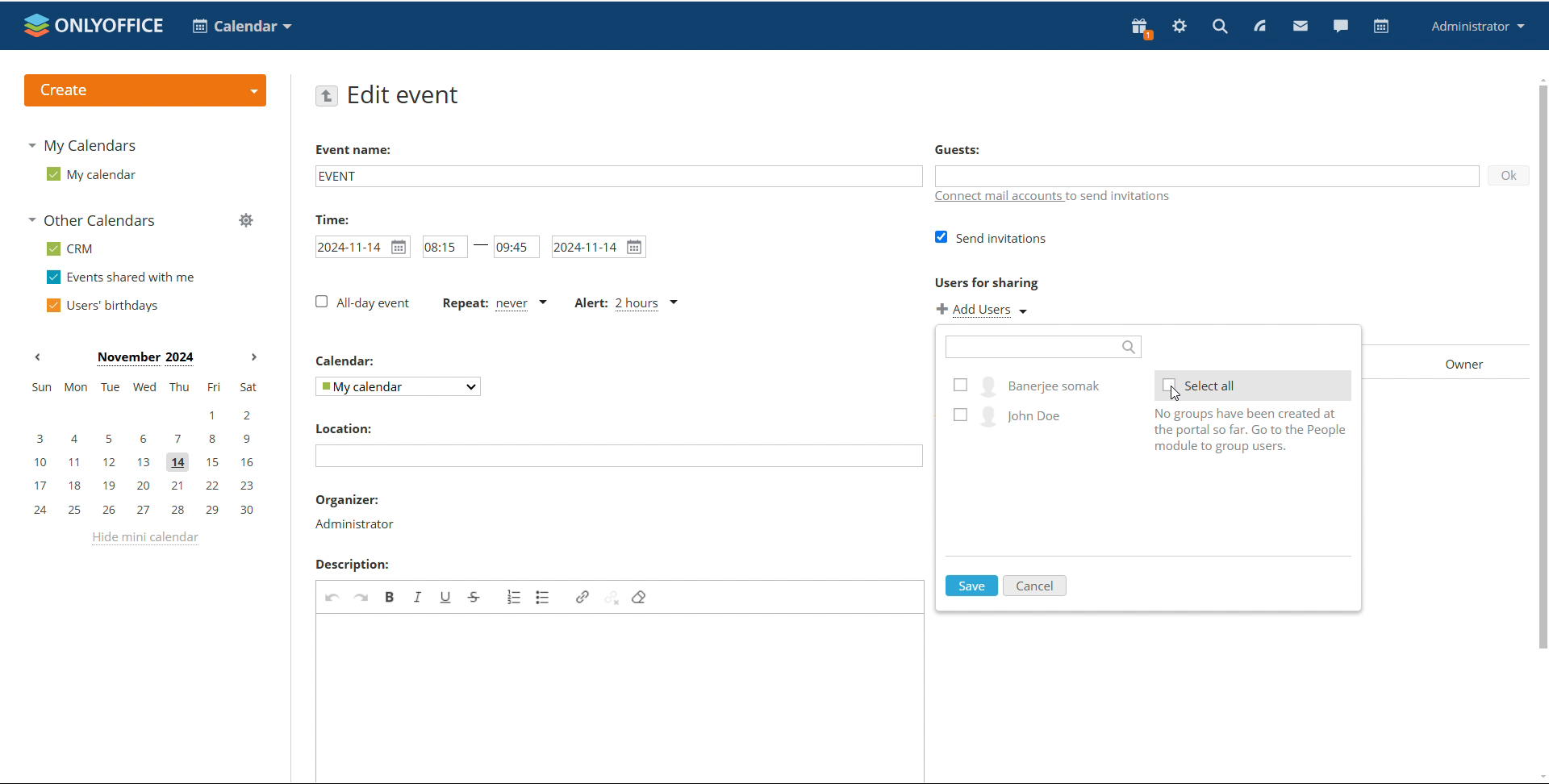  Describe the element at coordinates (399, 386) in the screenshot. I see `select calendar` at that location.